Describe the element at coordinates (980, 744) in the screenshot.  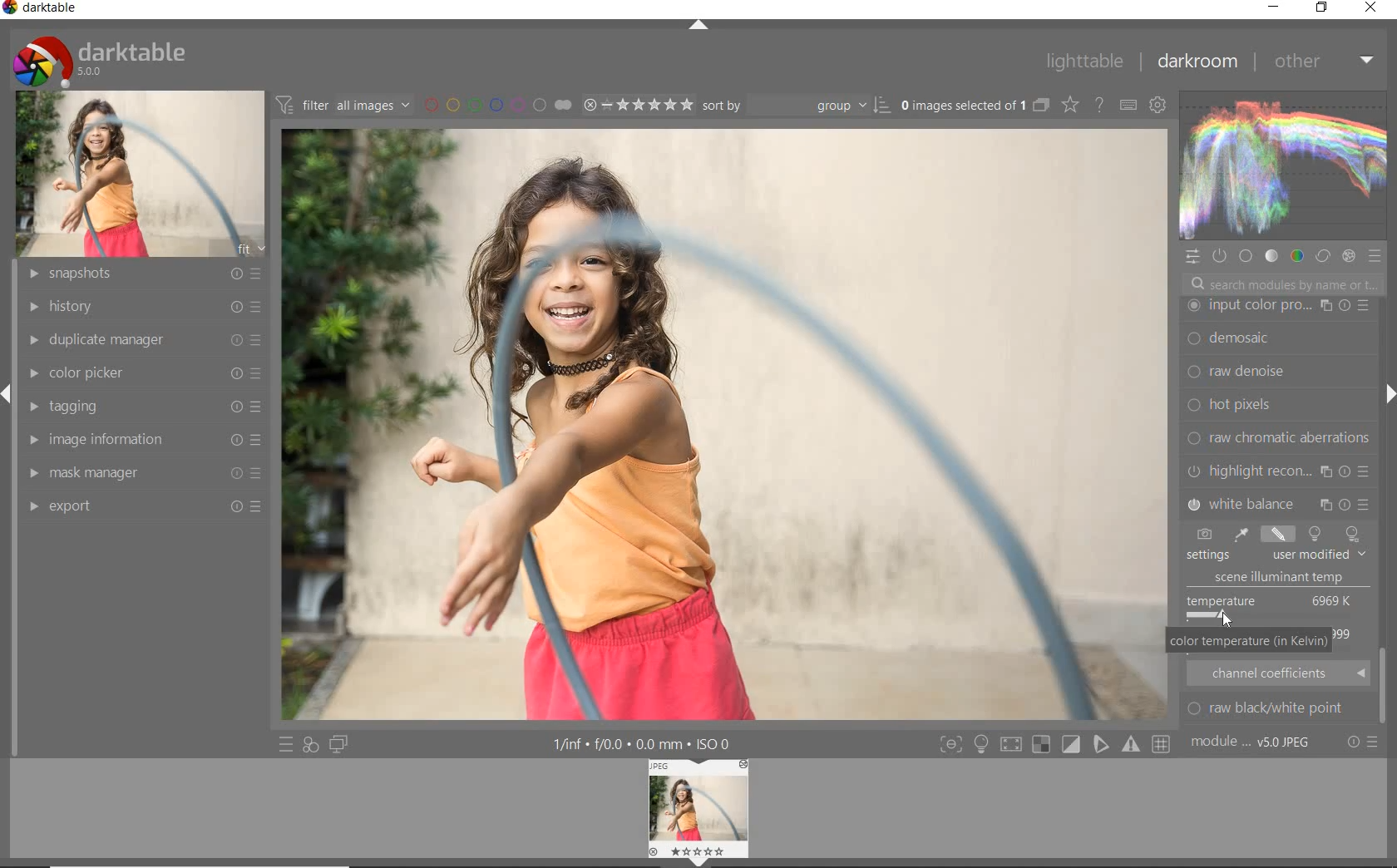
I see `sign ` at that location.